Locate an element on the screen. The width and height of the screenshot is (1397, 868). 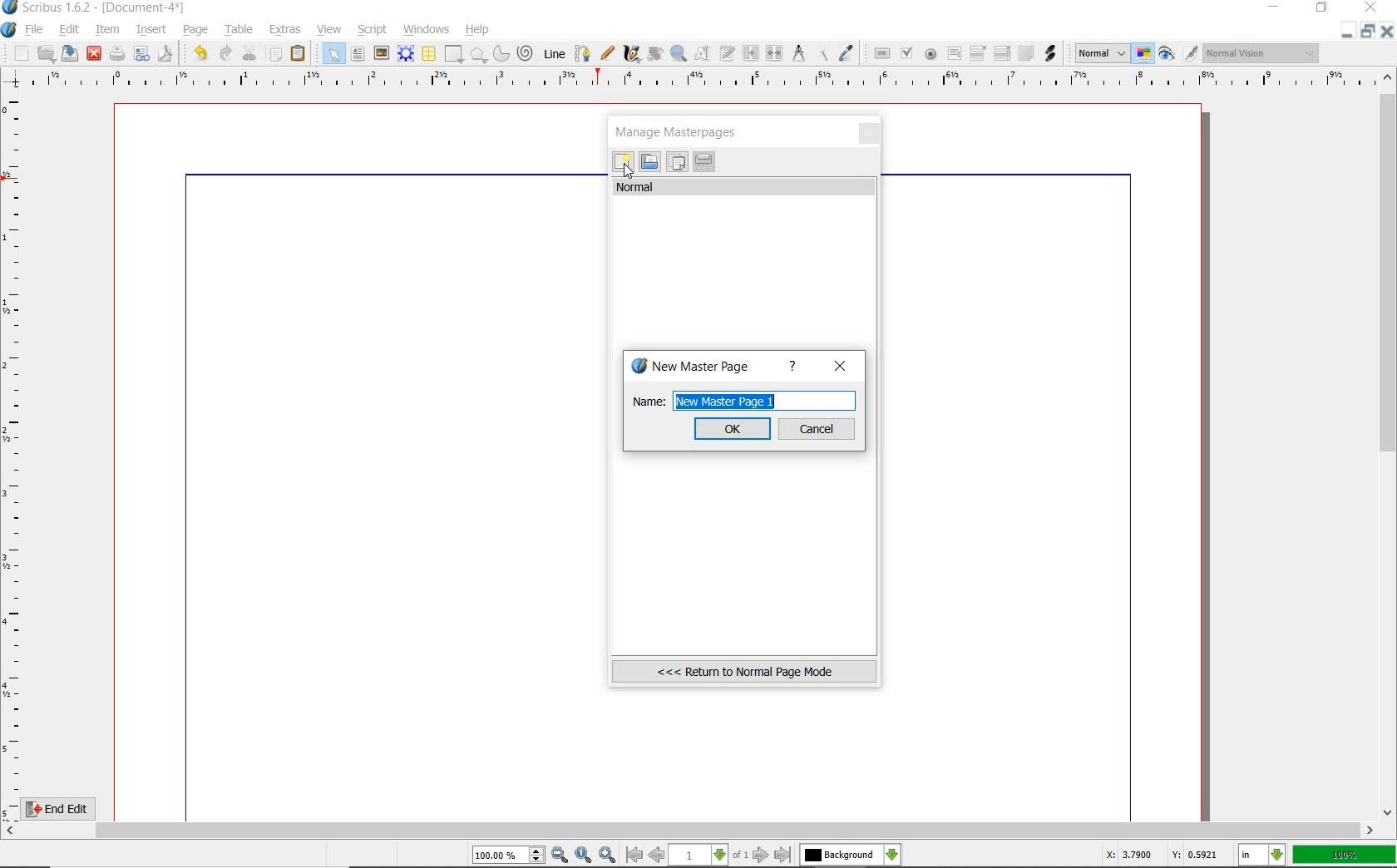
insert is located at coordinates (151, 29).